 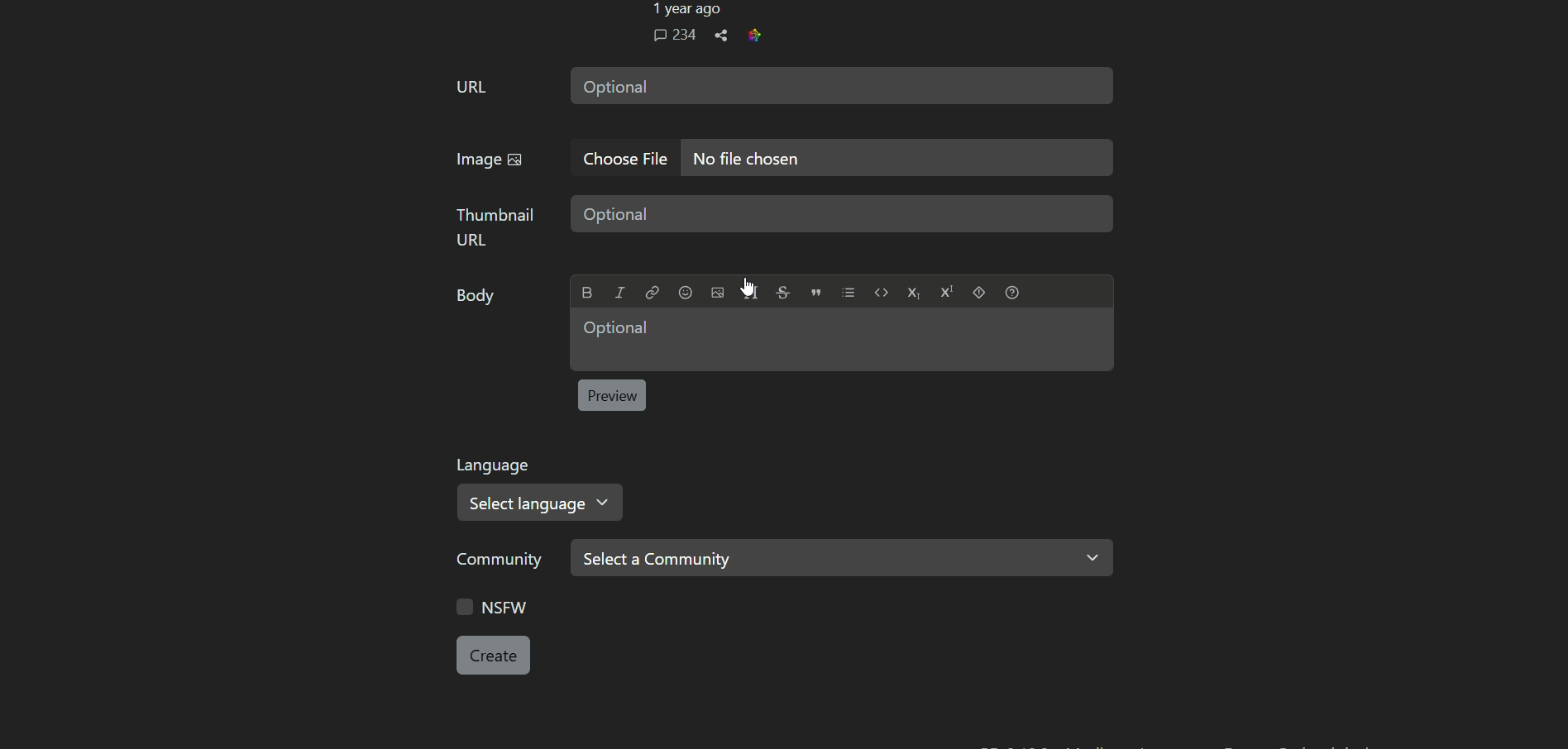 What do you see at coordinates (621, 158) in the screenshot?
I see `choose file` at bounding box center [621, 158].